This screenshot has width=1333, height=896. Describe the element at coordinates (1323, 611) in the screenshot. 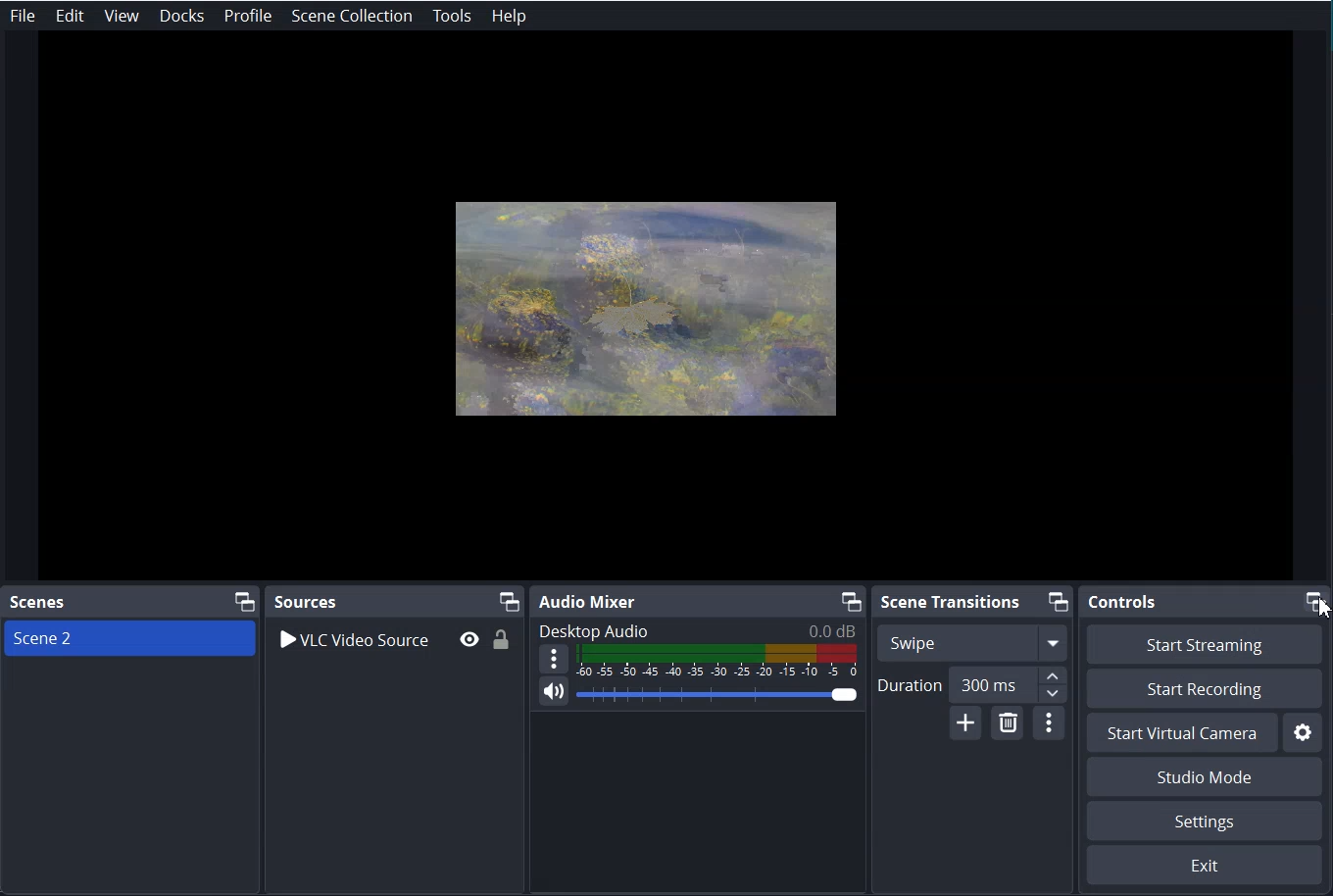

I see `cursor` at that location.